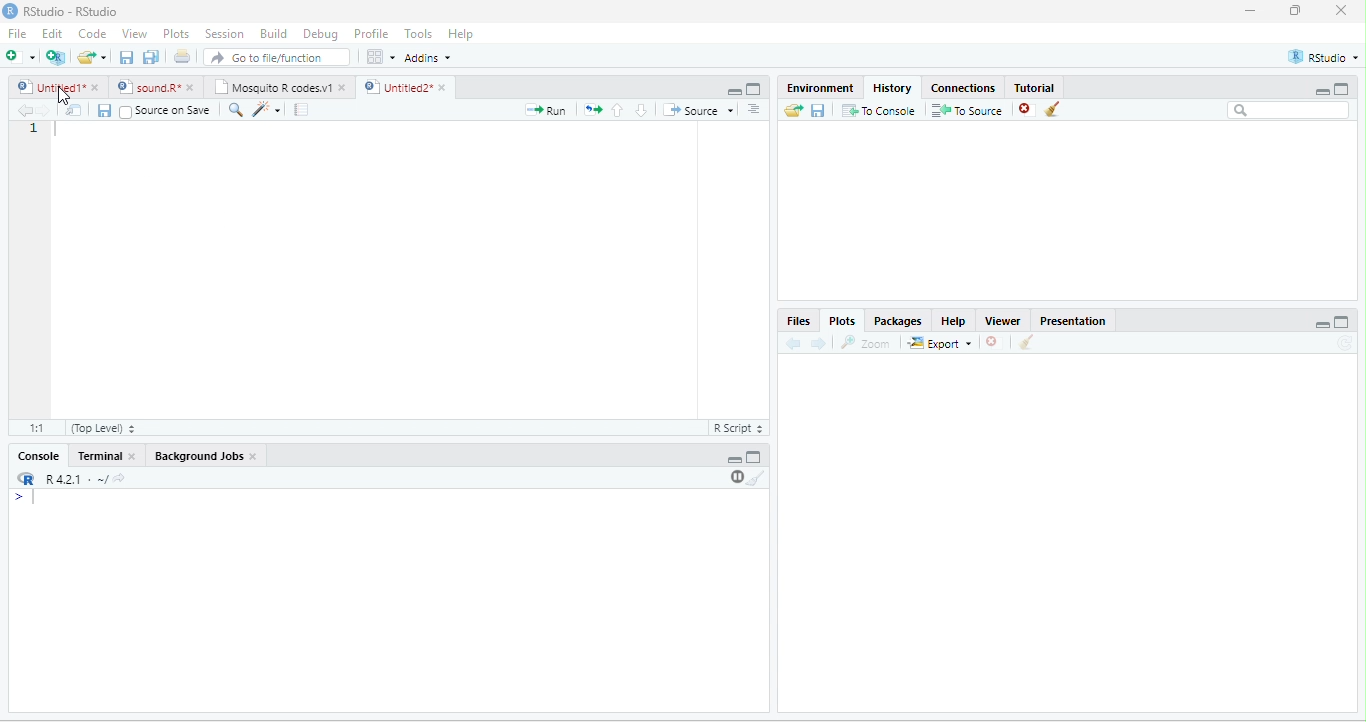 The height and width of the screenshot is (722, 1366). What do you see at coordinates (34, 129) in the screenshot?
I see `1` at bounding box center [34, 129].